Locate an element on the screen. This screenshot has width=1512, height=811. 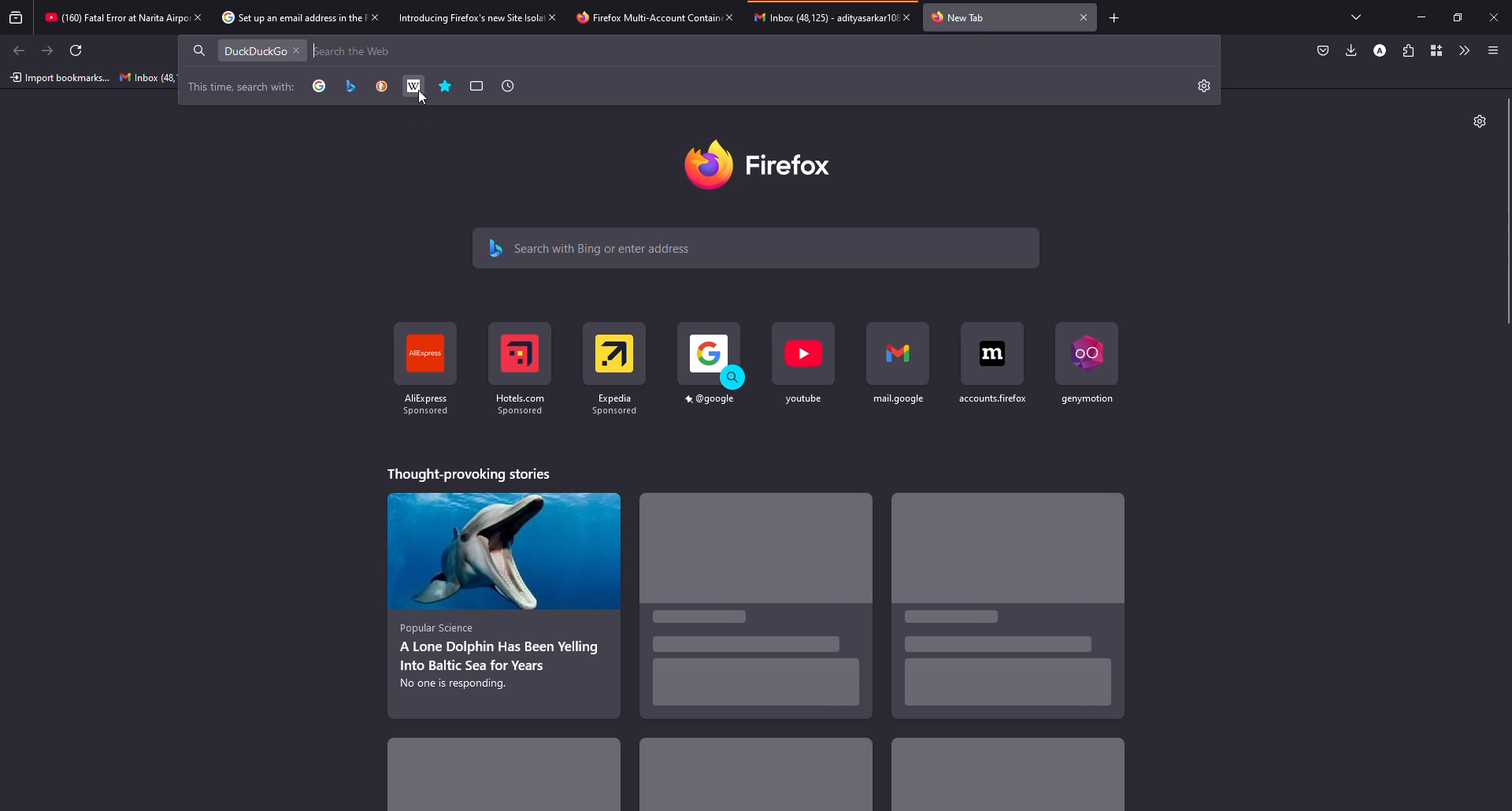
minimize is located at coordinates (1421, 17).